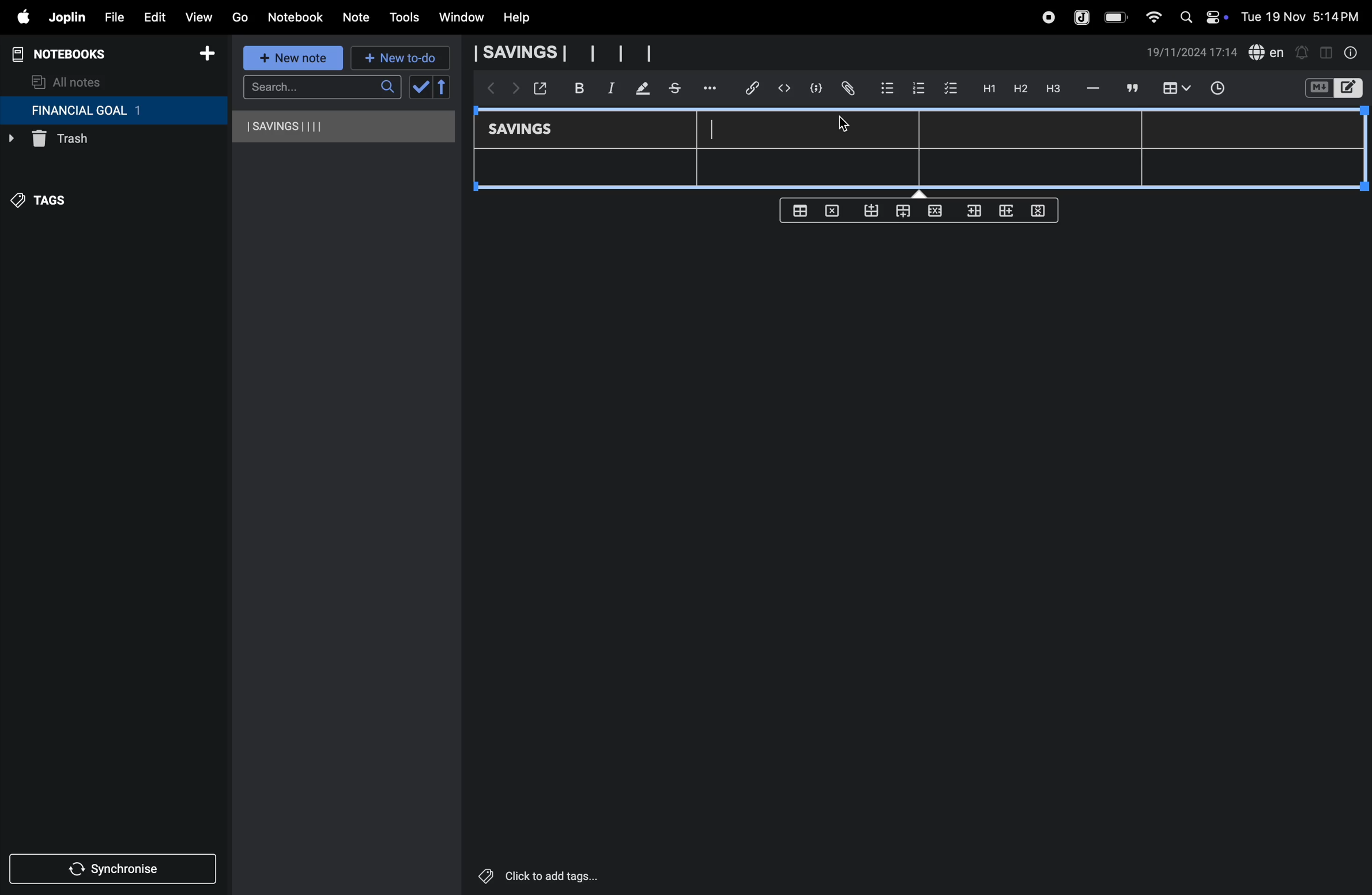 This screenshot has width=1372, height=895. I want to click on toggle editor, so click(1326, 51).